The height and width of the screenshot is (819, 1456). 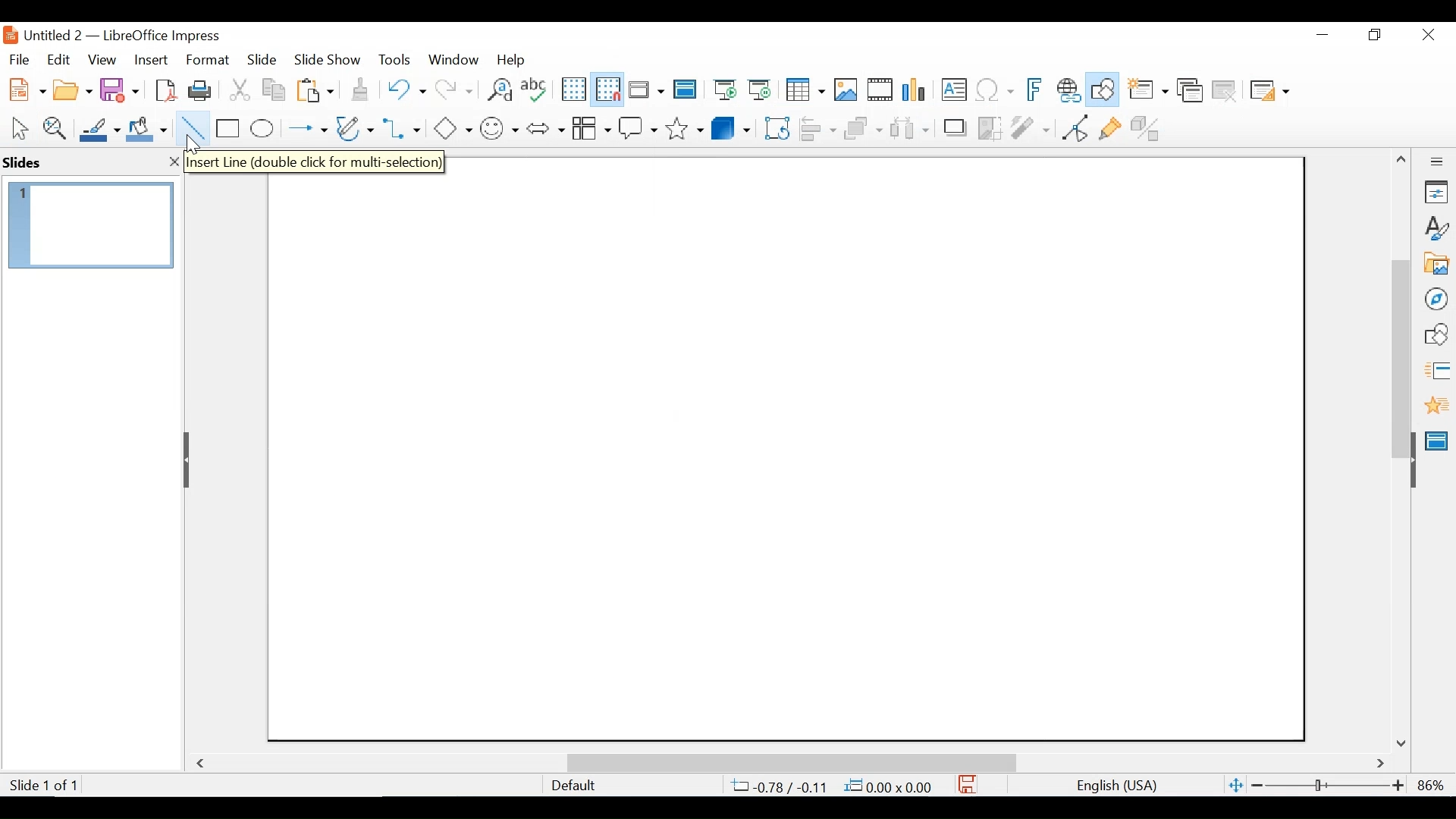 I want to click on Save, so click(x=966, y=784).